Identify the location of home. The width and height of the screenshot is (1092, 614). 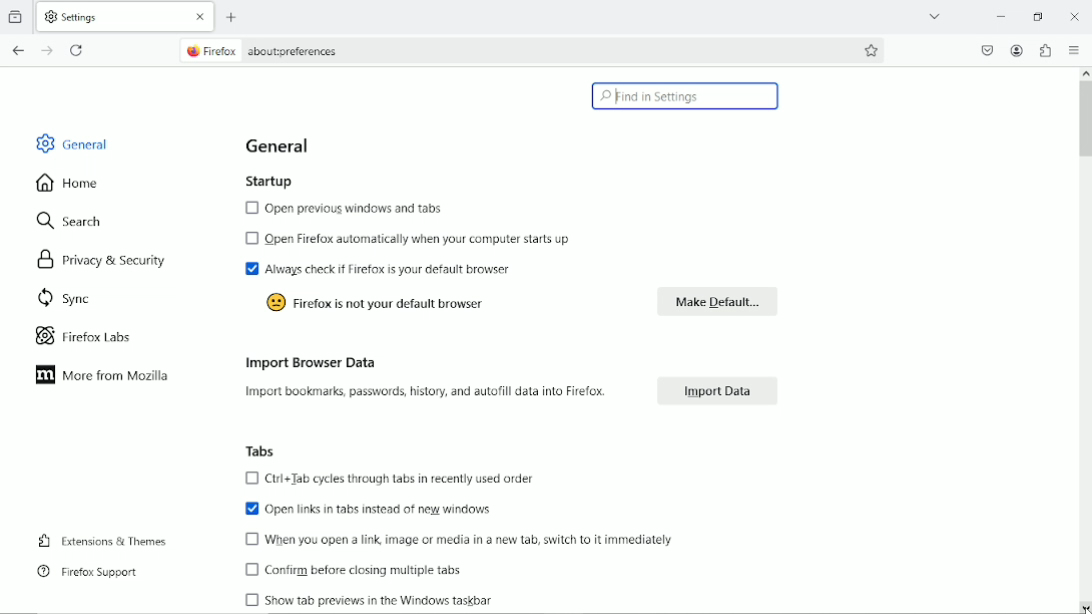
(66, 183).